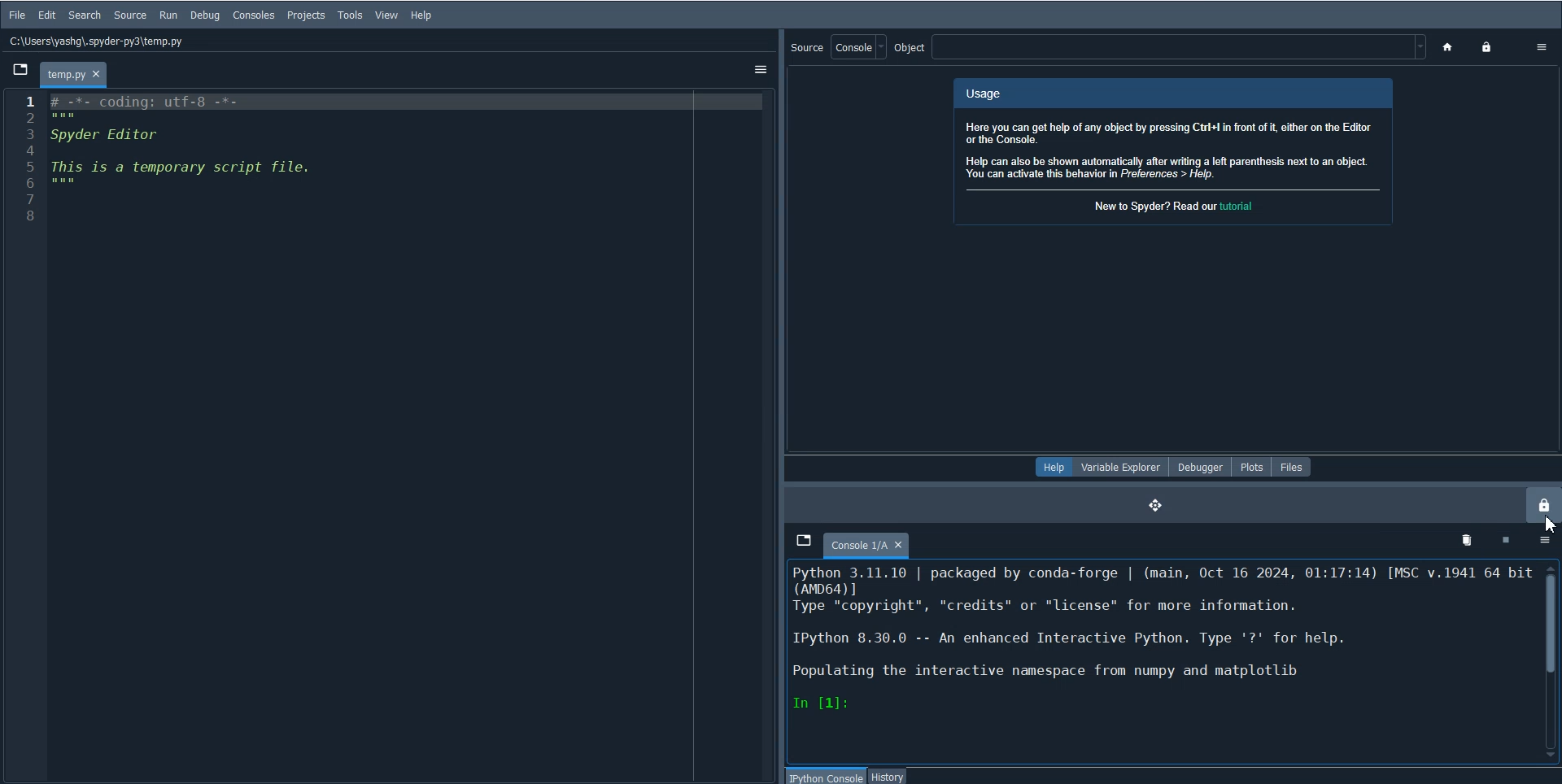 This screenshot has height=784, width=1562. Describe the element at coordinates (129, 15) in the screenshot. I see `Source` at that location.